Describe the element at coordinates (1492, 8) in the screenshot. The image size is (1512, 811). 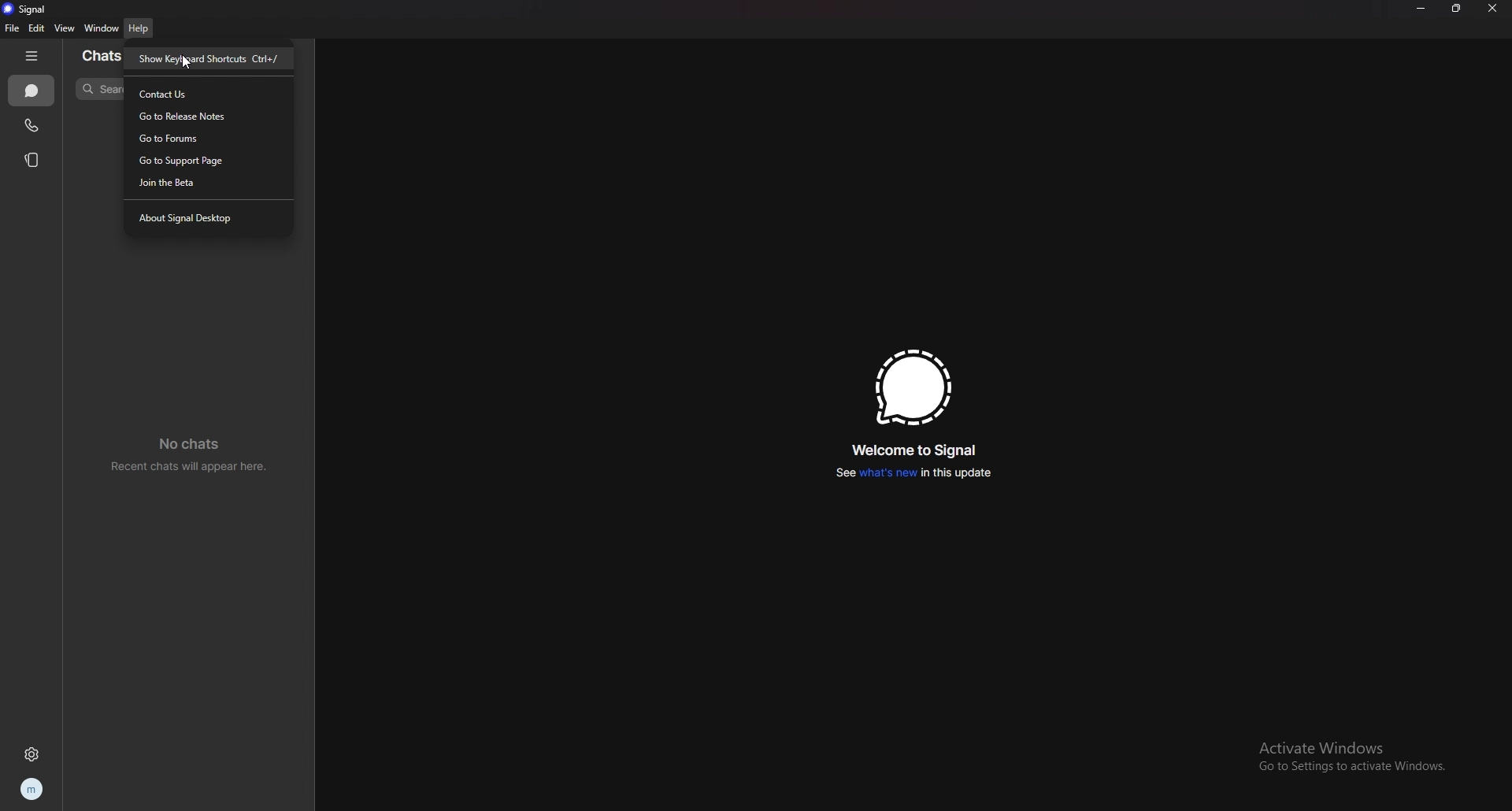
I see `close` at that location.